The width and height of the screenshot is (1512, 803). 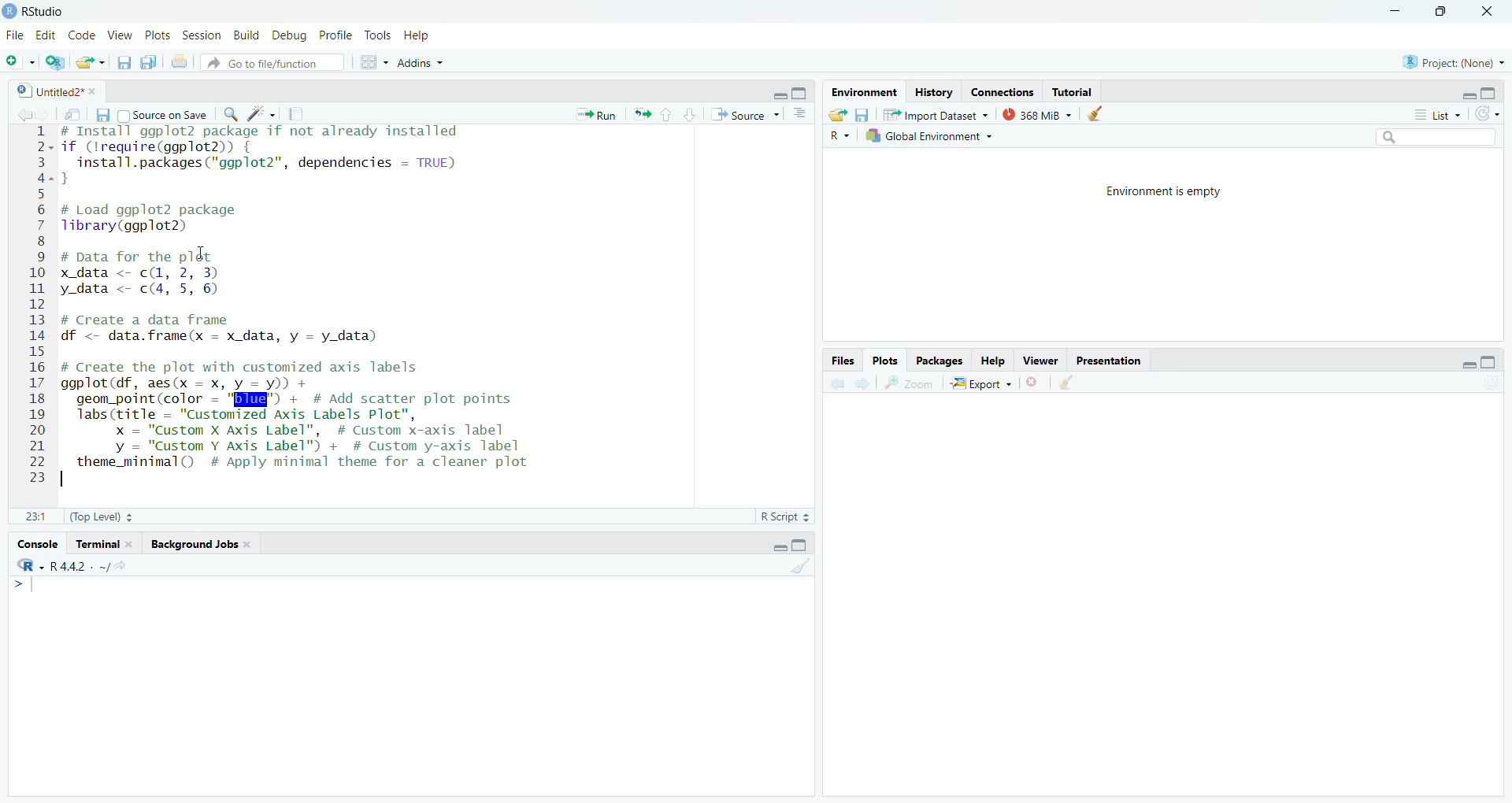 I want to click on Export, so click(x=984, y=385).